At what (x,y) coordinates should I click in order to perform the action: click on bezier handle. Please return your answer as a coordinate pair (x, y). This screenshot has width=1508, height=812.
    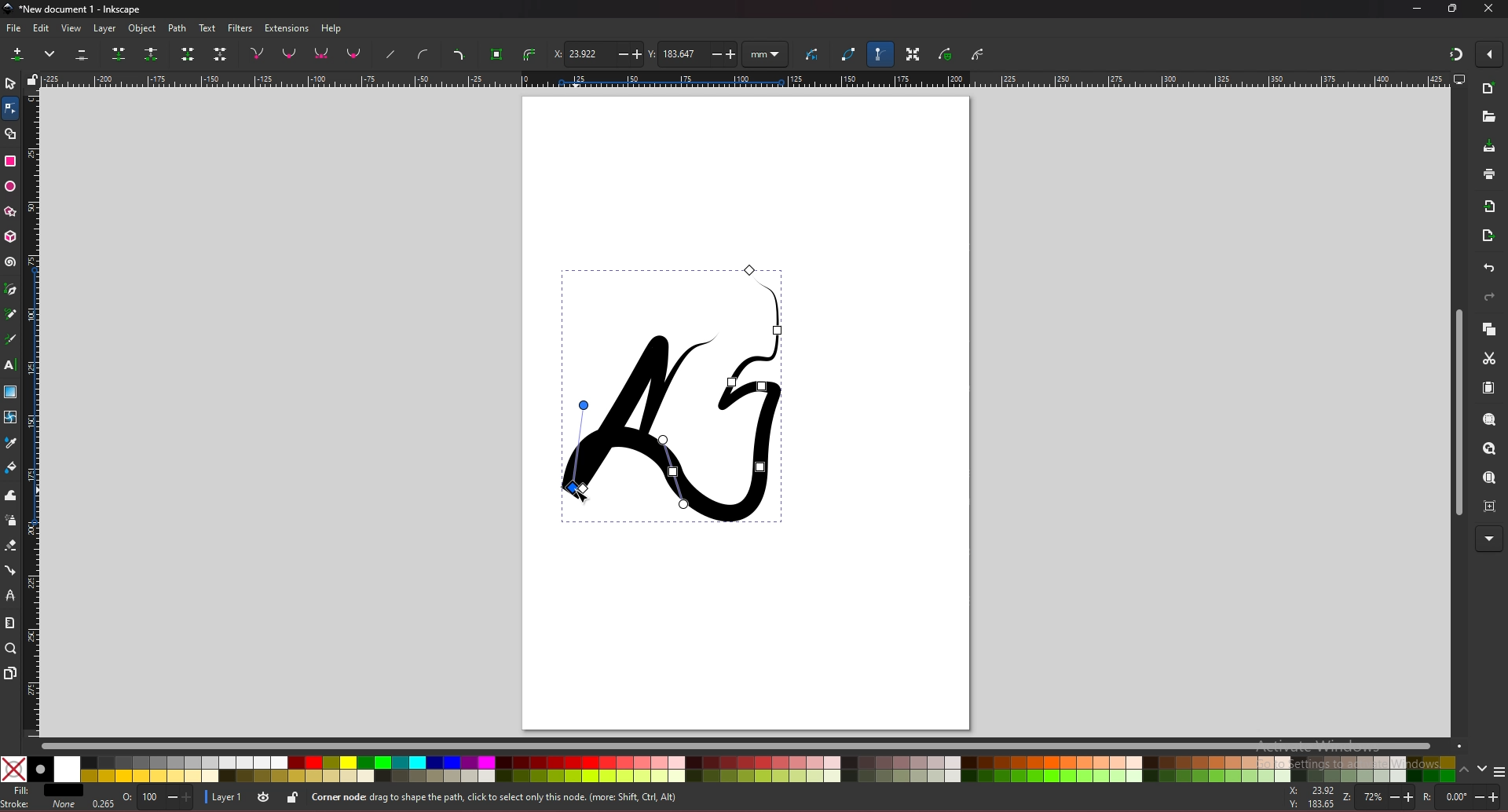
    Looking at the image, I should click on (879, 53).